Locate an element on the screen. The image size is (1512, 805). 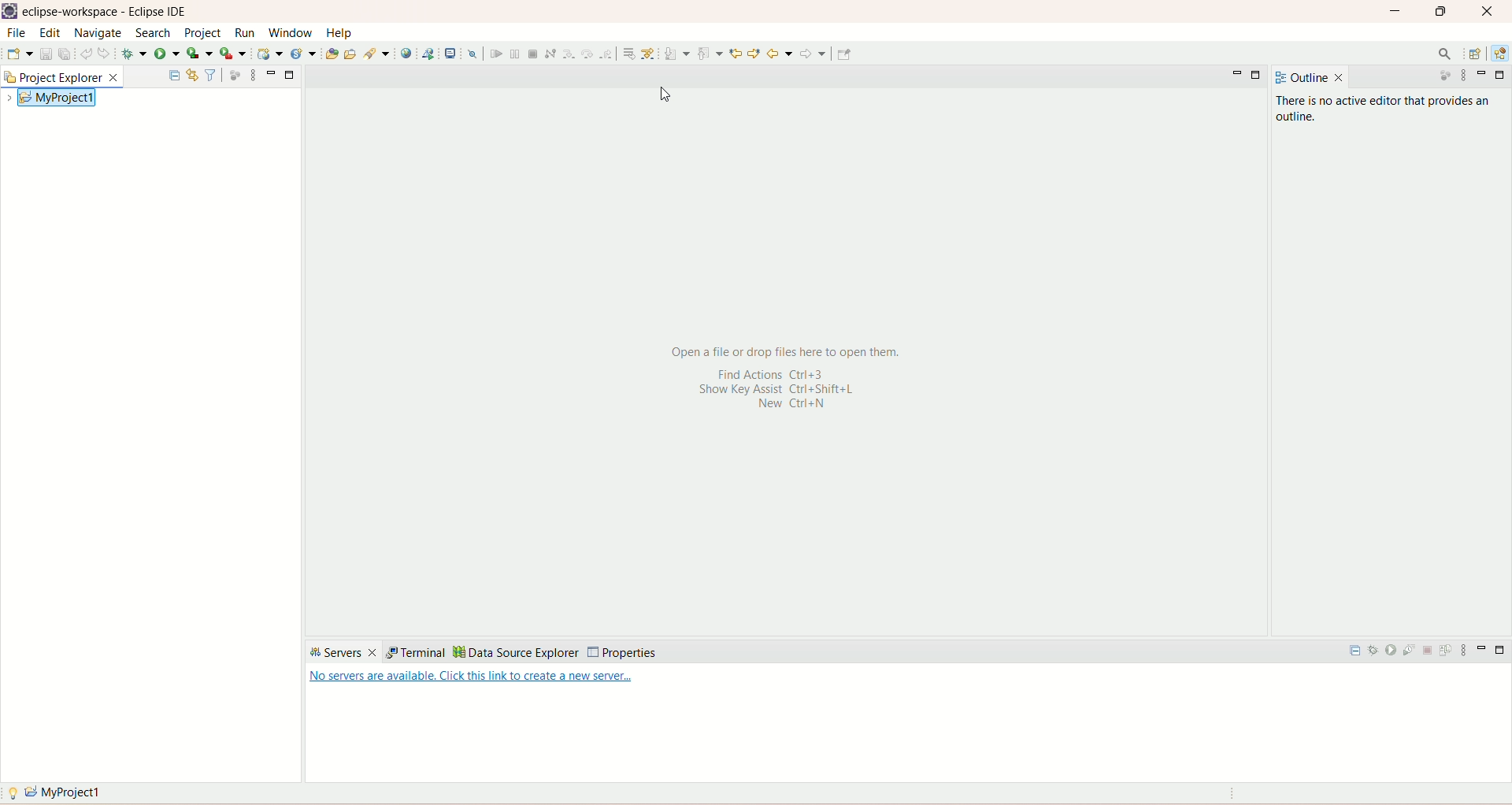
back is located at coordinates (780, 54).